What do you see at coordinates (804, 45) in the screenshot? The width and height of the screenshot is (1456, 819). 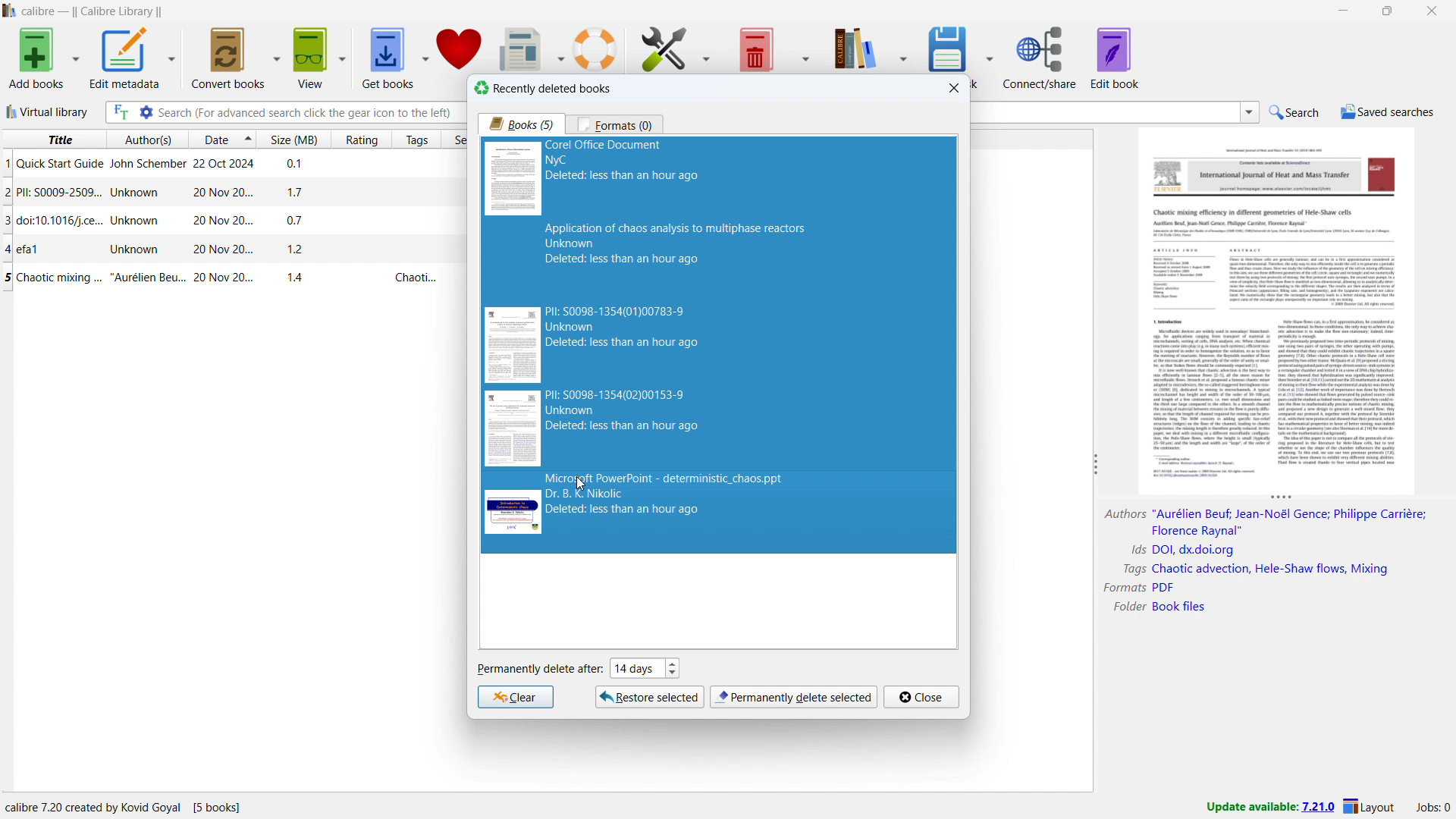 I see `remove books options` at bounding box center [804, 45].